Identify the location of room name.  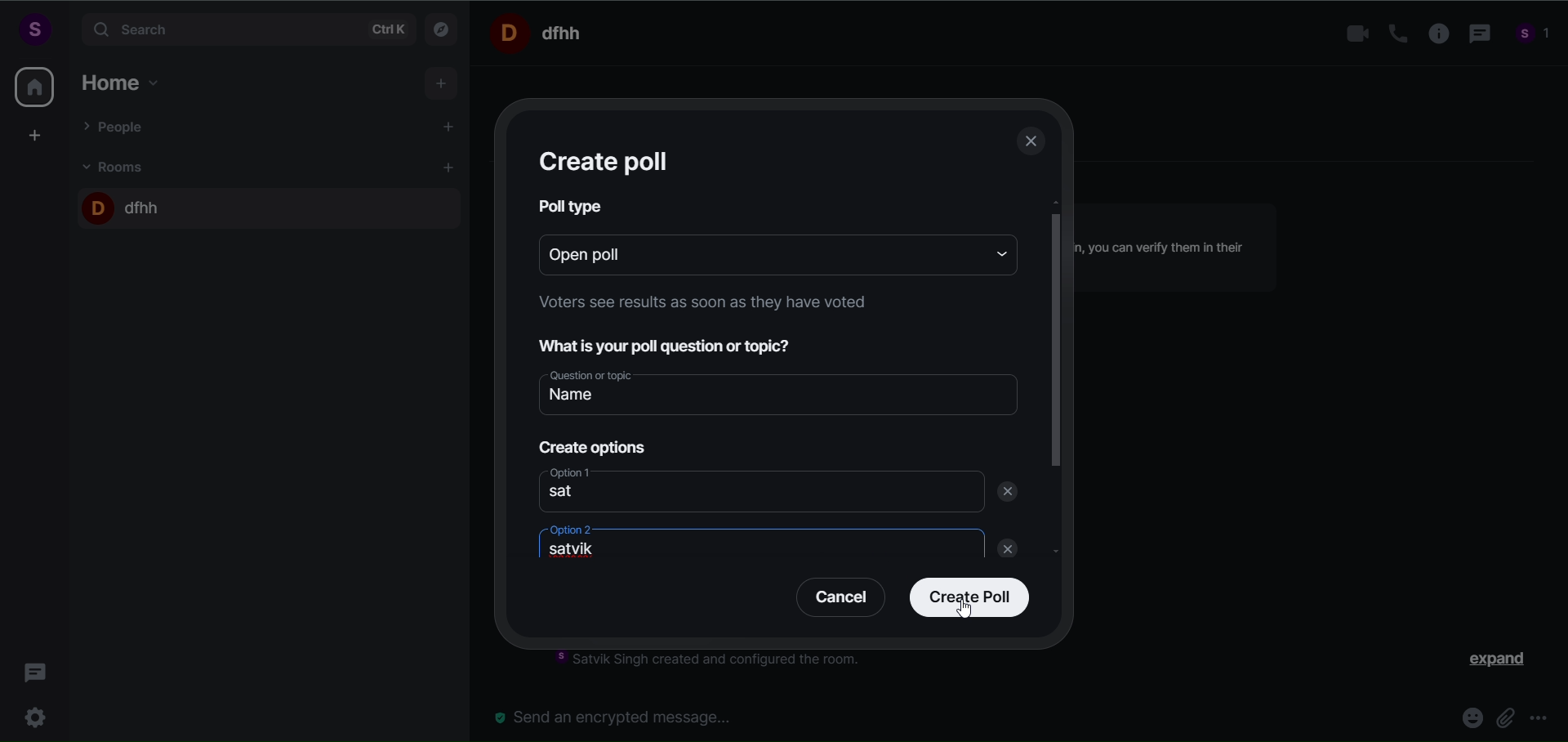
(125, 204).